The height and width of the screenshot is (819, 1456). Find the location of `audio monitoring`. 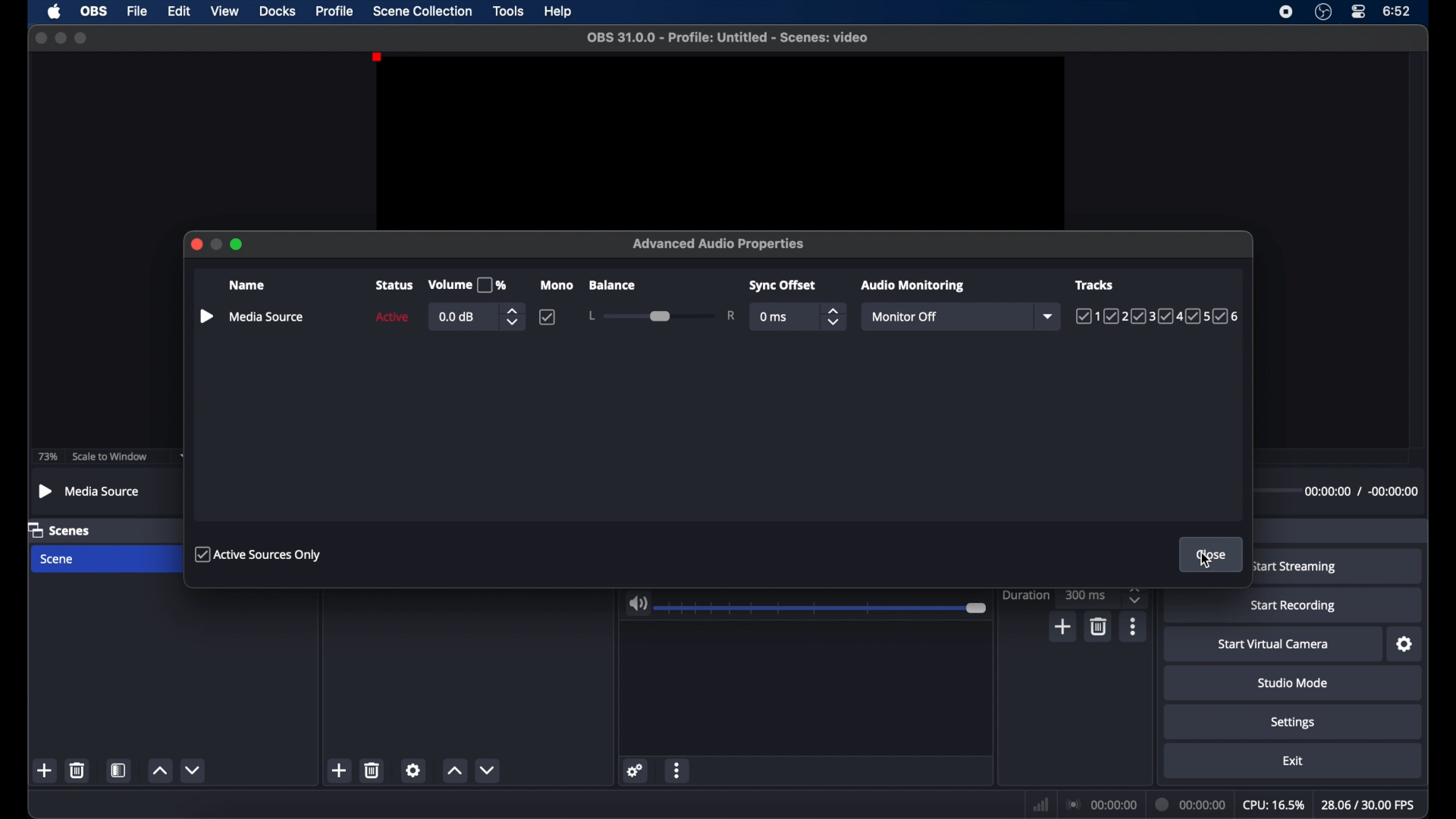

audio monitoring is located at coordinates (914, 286).